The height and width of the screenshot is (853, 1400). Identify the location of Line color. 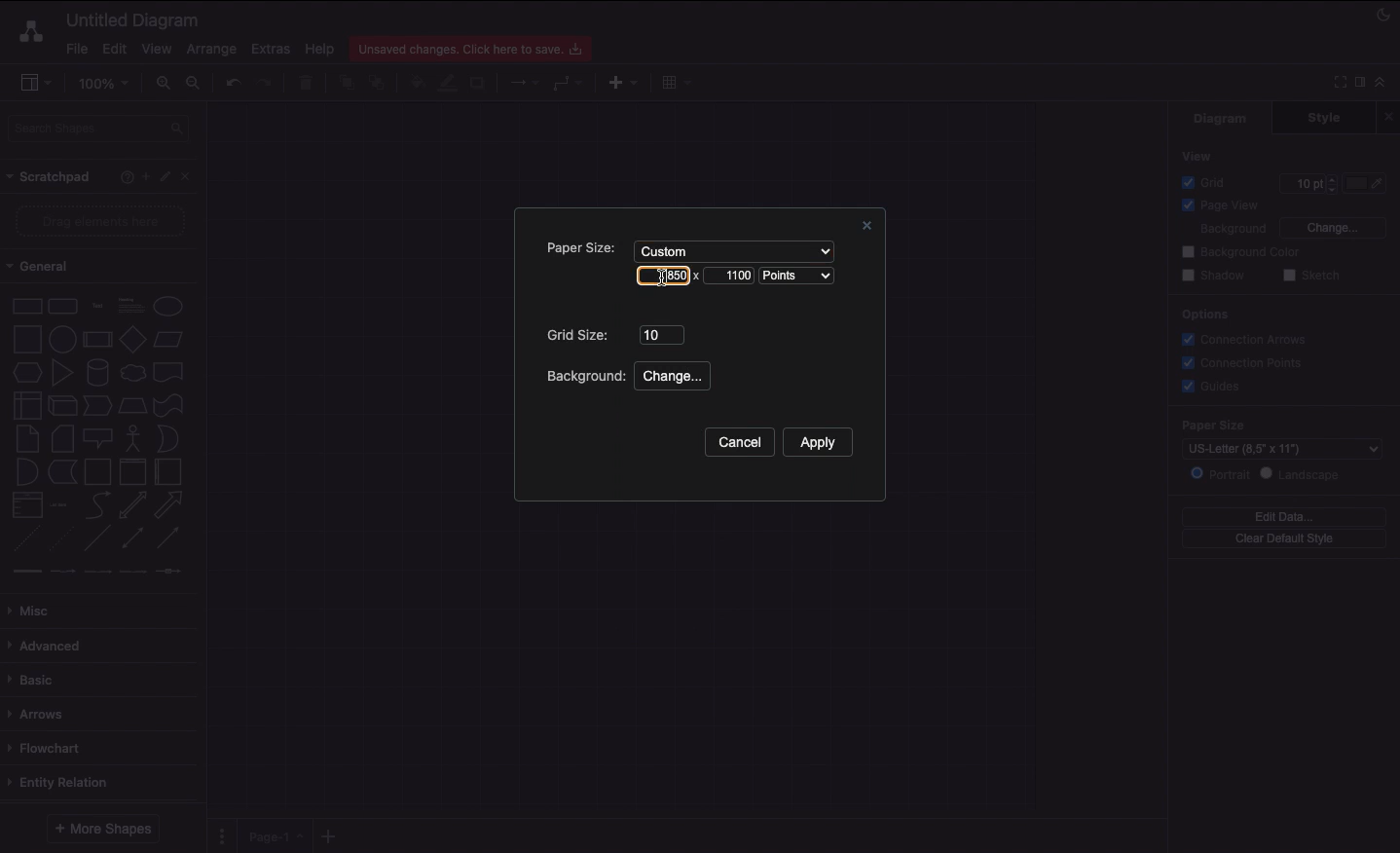
(447, 81).